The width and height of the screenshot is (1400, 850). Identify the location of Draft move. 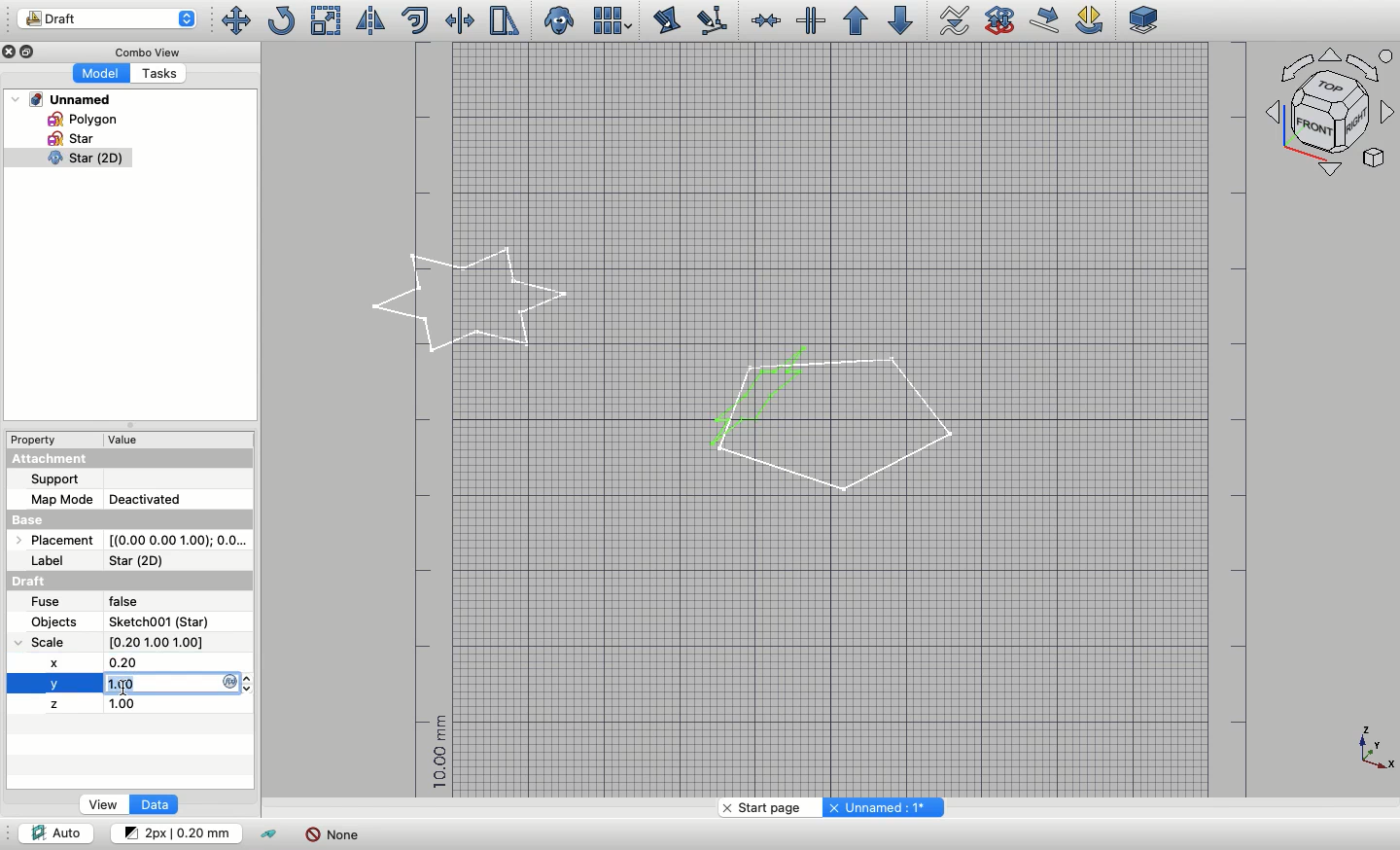
(1046, 19).